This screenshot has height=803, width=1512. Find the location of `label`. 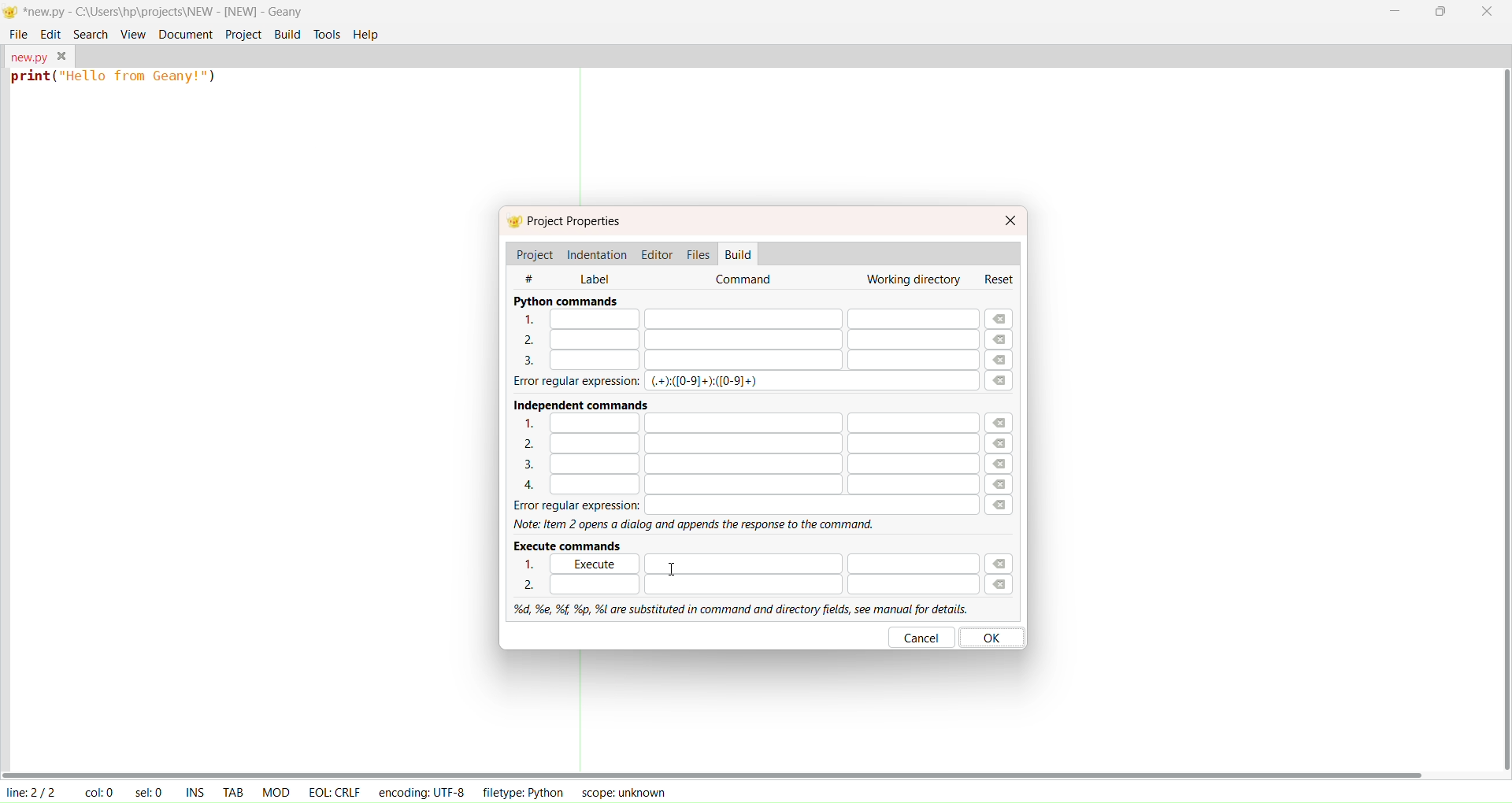

label is located at coordinates (595, 277).